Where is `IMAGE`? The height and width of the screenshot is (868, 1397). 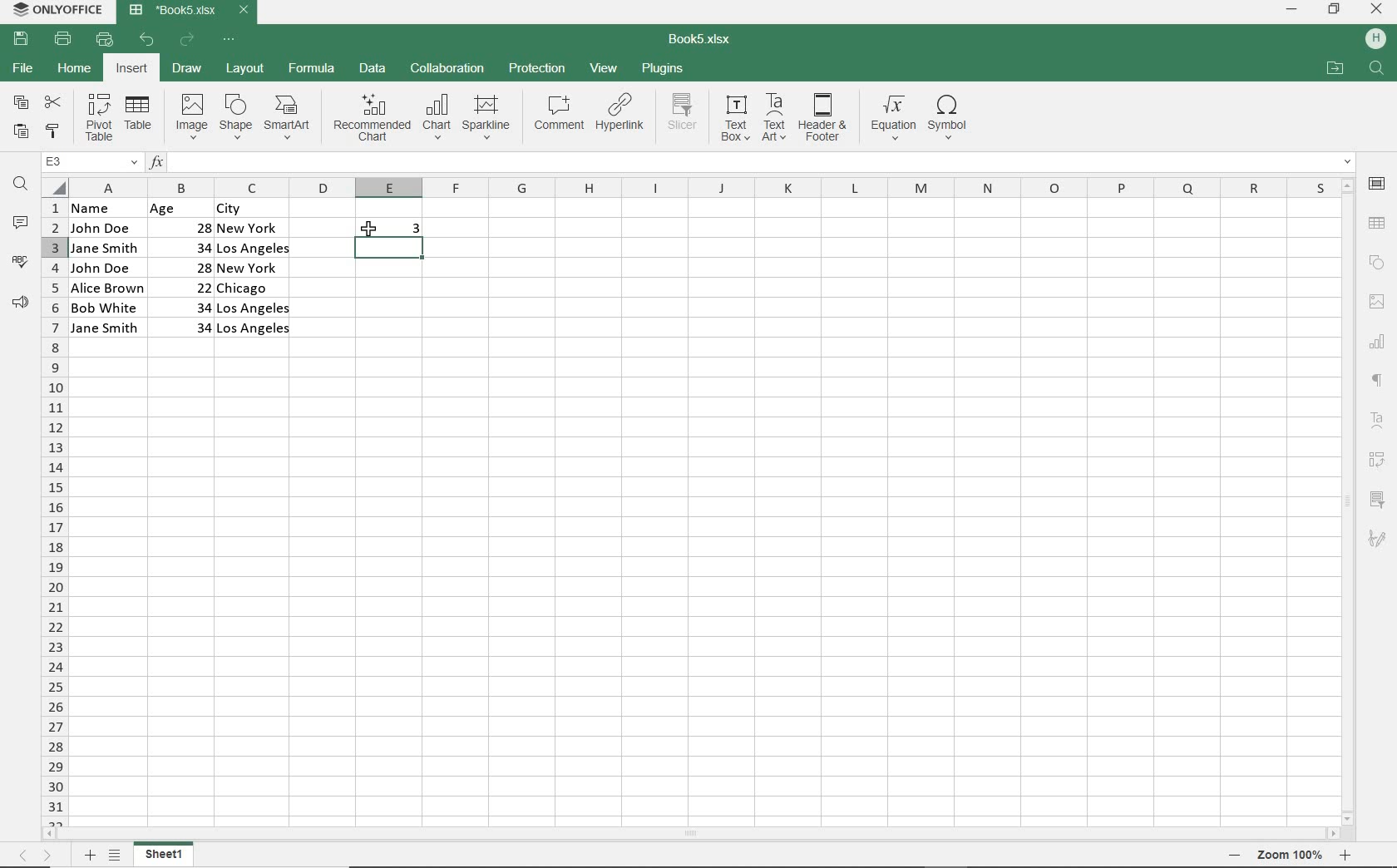
IMAGE is located at coordinates (1377, 302).